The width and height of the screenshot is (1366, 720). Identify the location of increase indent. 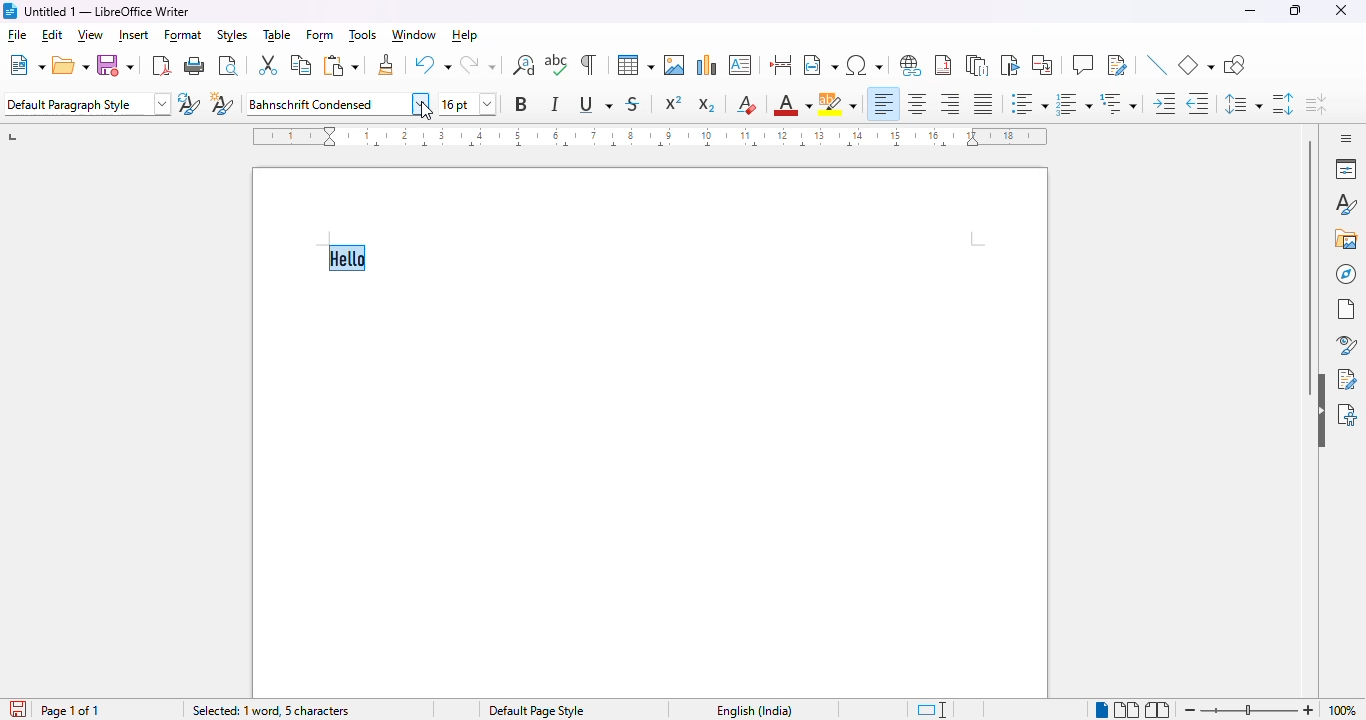
(1165, 104).